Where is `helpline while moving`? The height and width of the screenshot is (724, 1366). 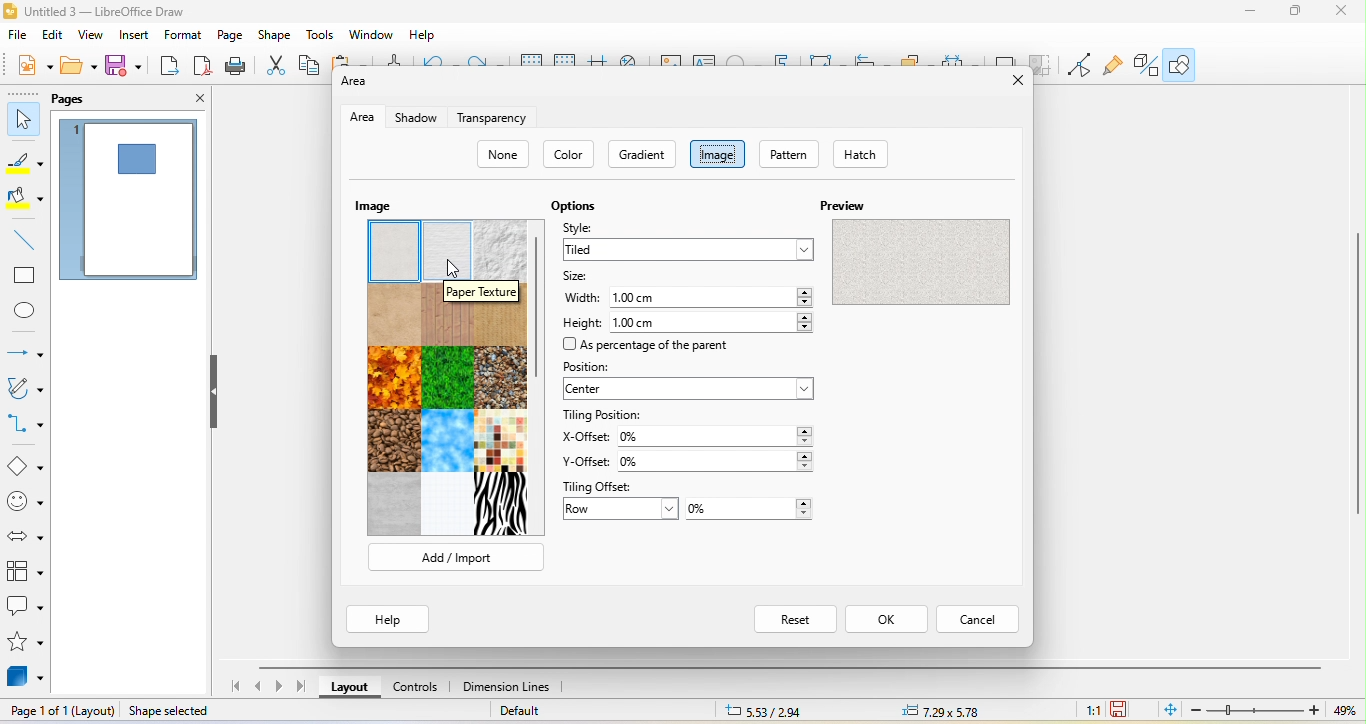
helpline while moving is located at coordinates (598, 62).